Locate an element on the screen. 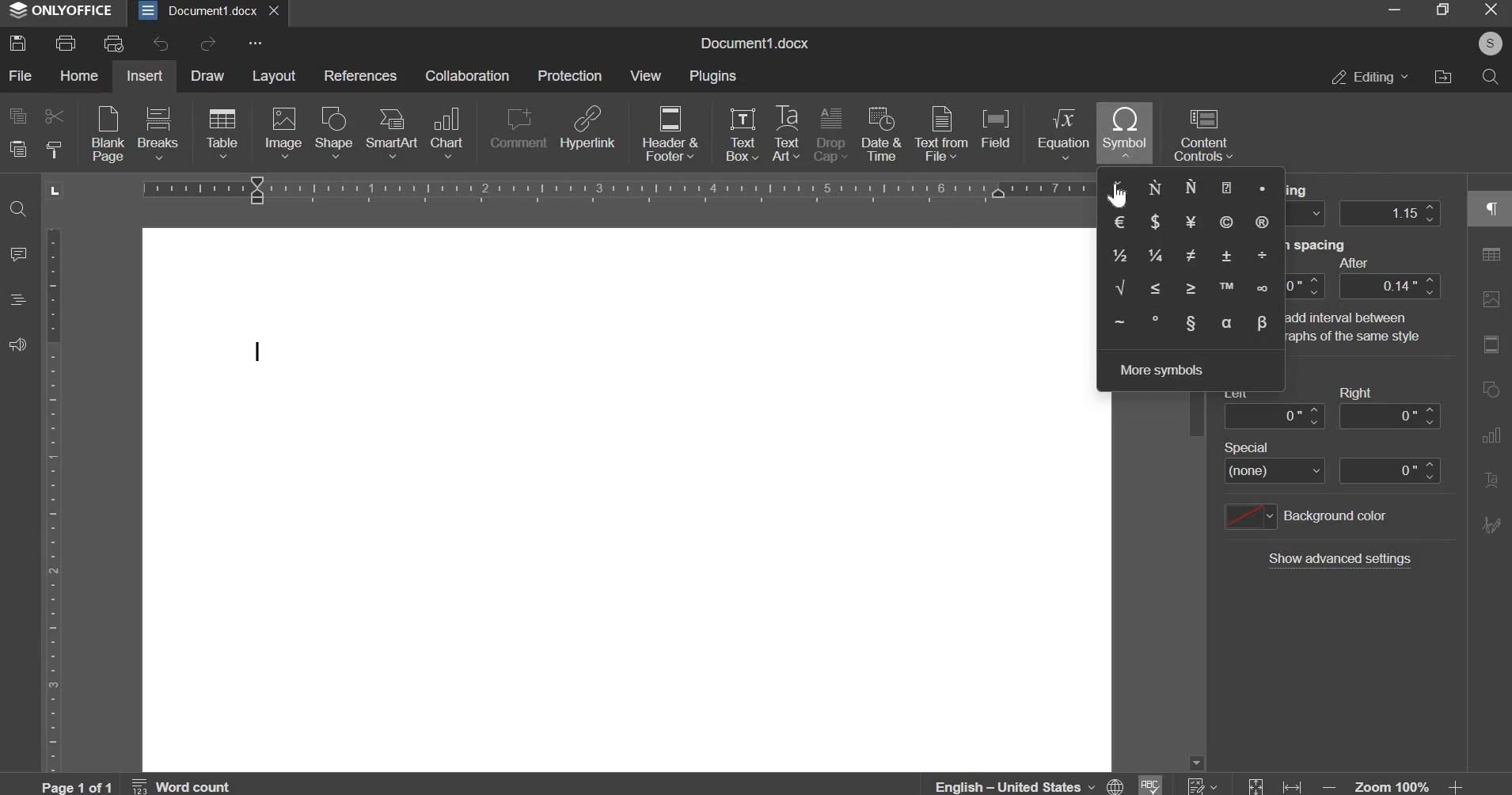 The width and height of the screenshot is (1512, 795). equation is located at coordinates (1062, 133).